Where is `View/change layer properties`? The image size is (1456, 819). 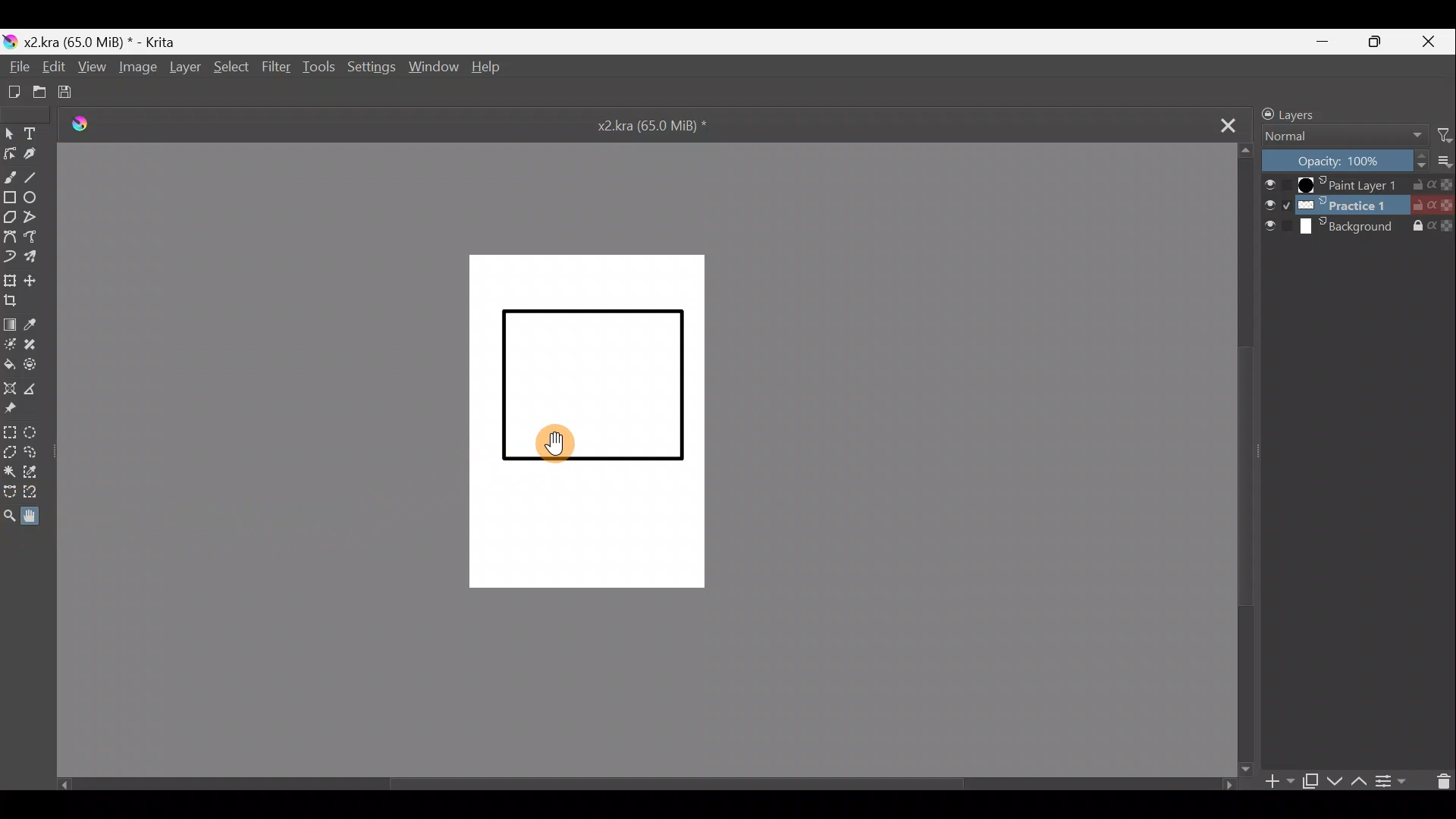 View/change layer properties is located at coordinates (1393, 781).